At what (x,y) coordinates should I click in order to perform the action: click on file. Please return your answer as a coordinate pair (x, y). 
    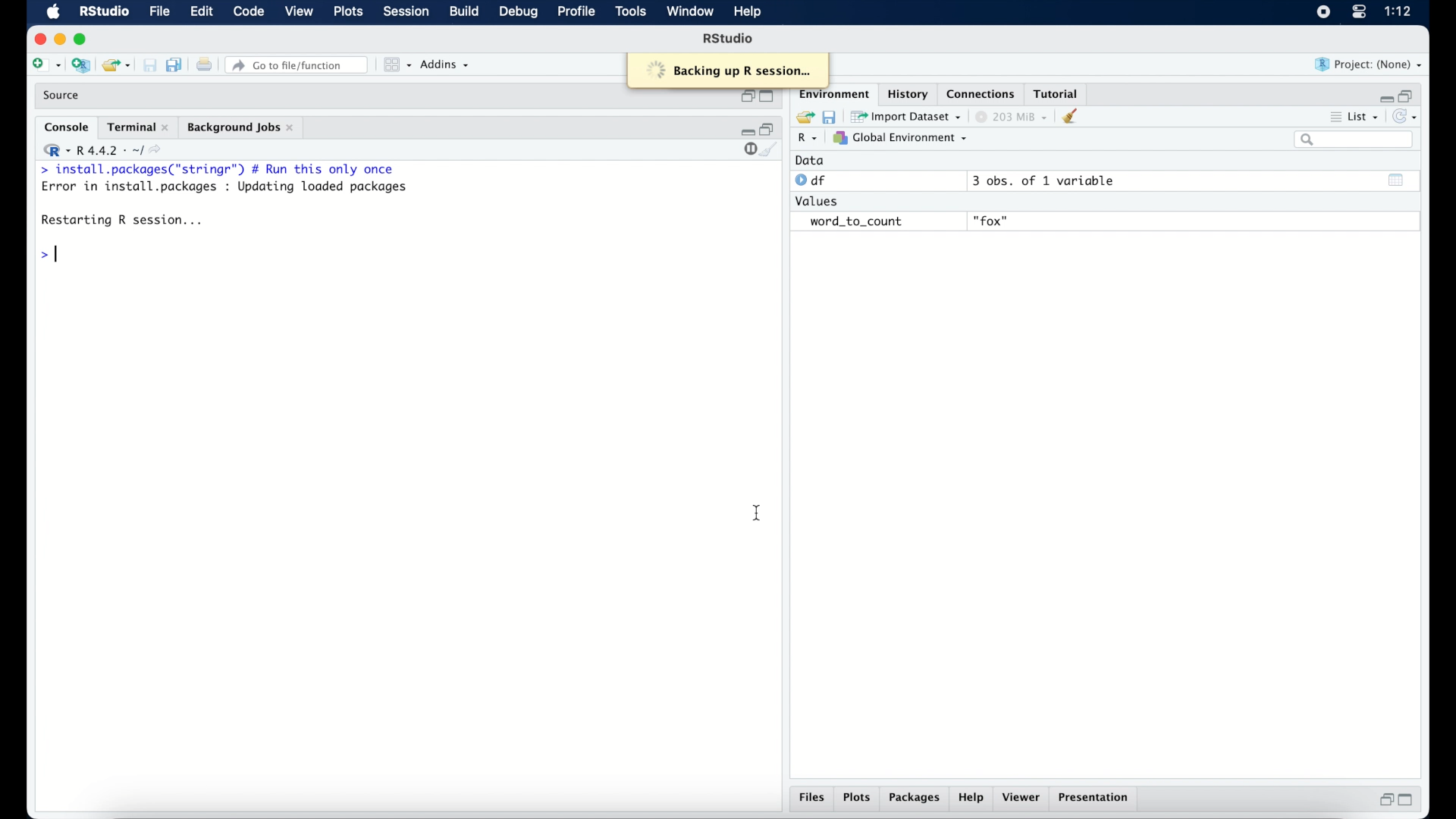
    Looking at the image, I should click on (161, 12).